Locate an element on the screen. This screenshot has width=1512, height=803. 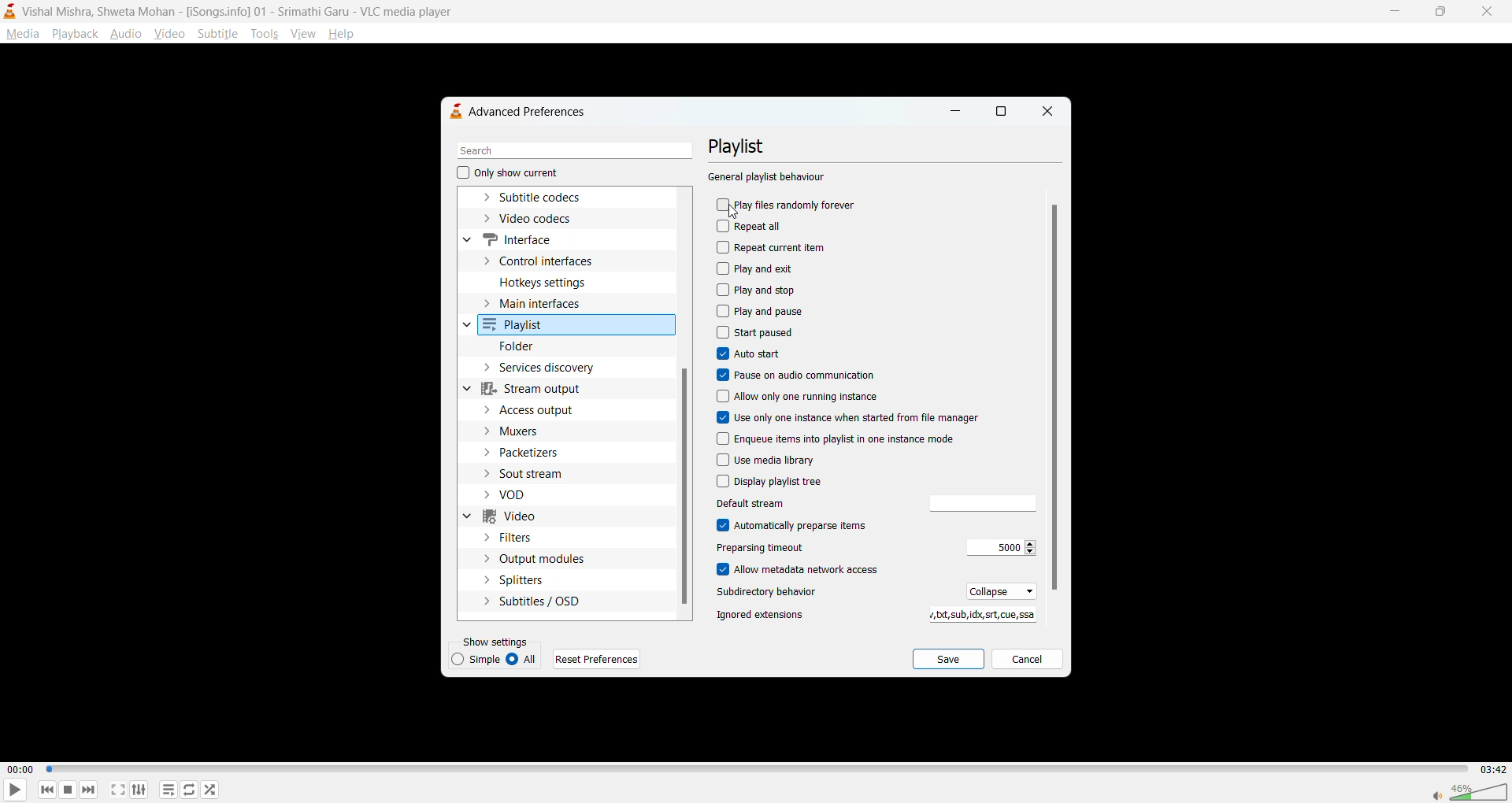
default stream is located at coordinates (779, 503).